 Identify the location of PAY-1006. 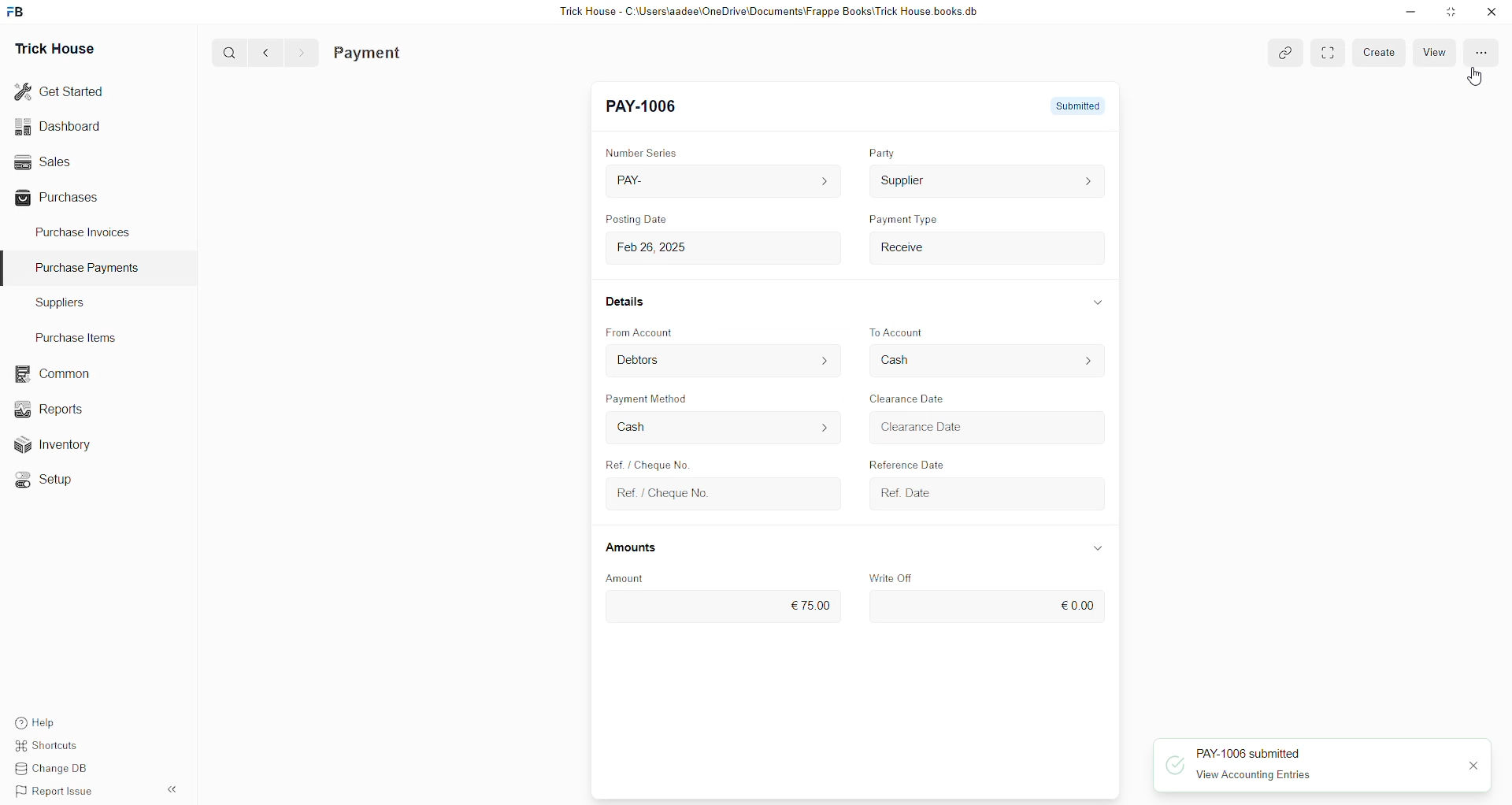
(645, 108).